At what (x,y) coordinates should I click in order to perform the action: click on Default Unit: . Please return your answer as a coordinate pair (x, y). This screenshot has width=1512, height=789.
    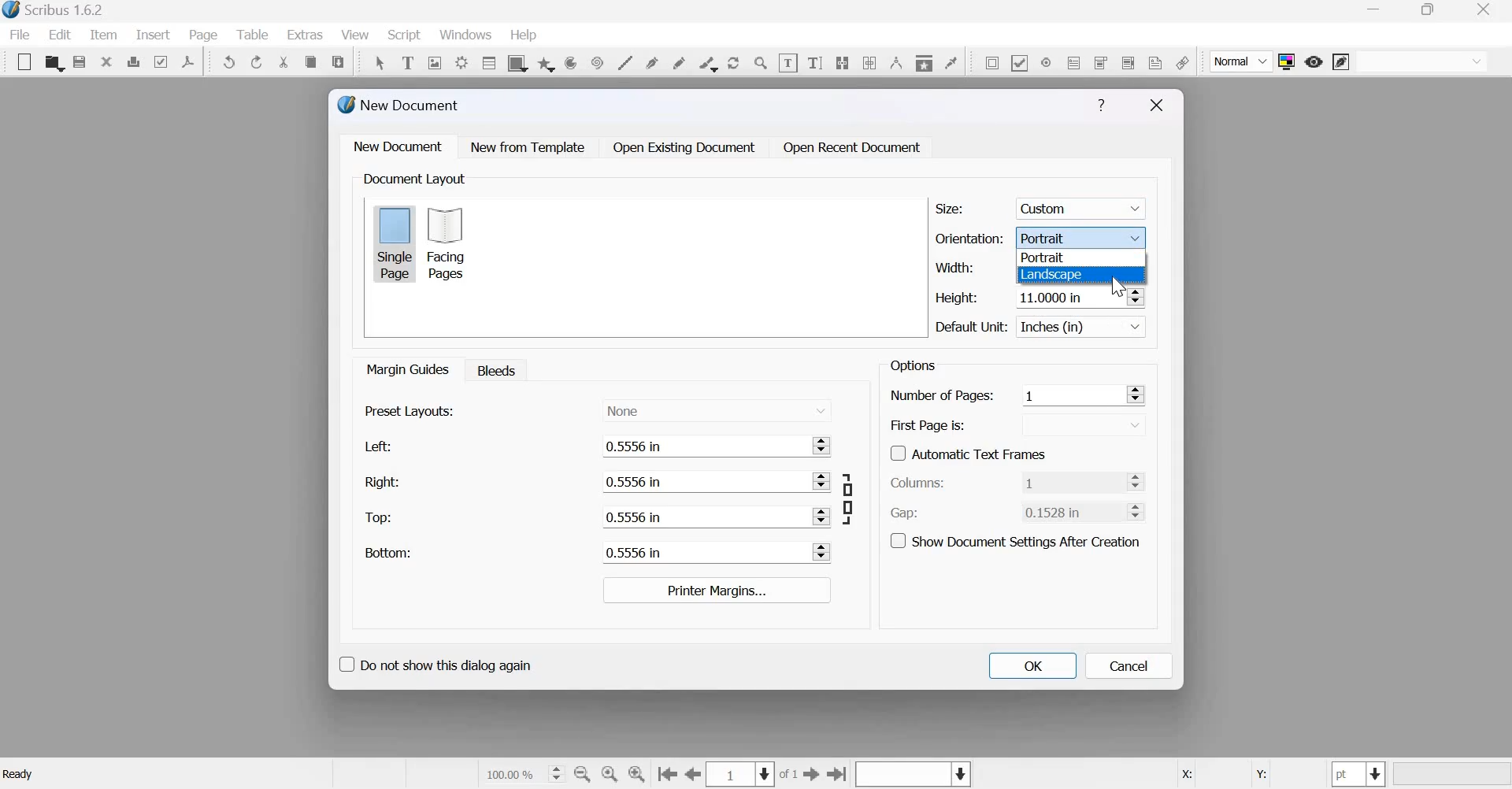
    Looking at the image, I should click on (972, 328).